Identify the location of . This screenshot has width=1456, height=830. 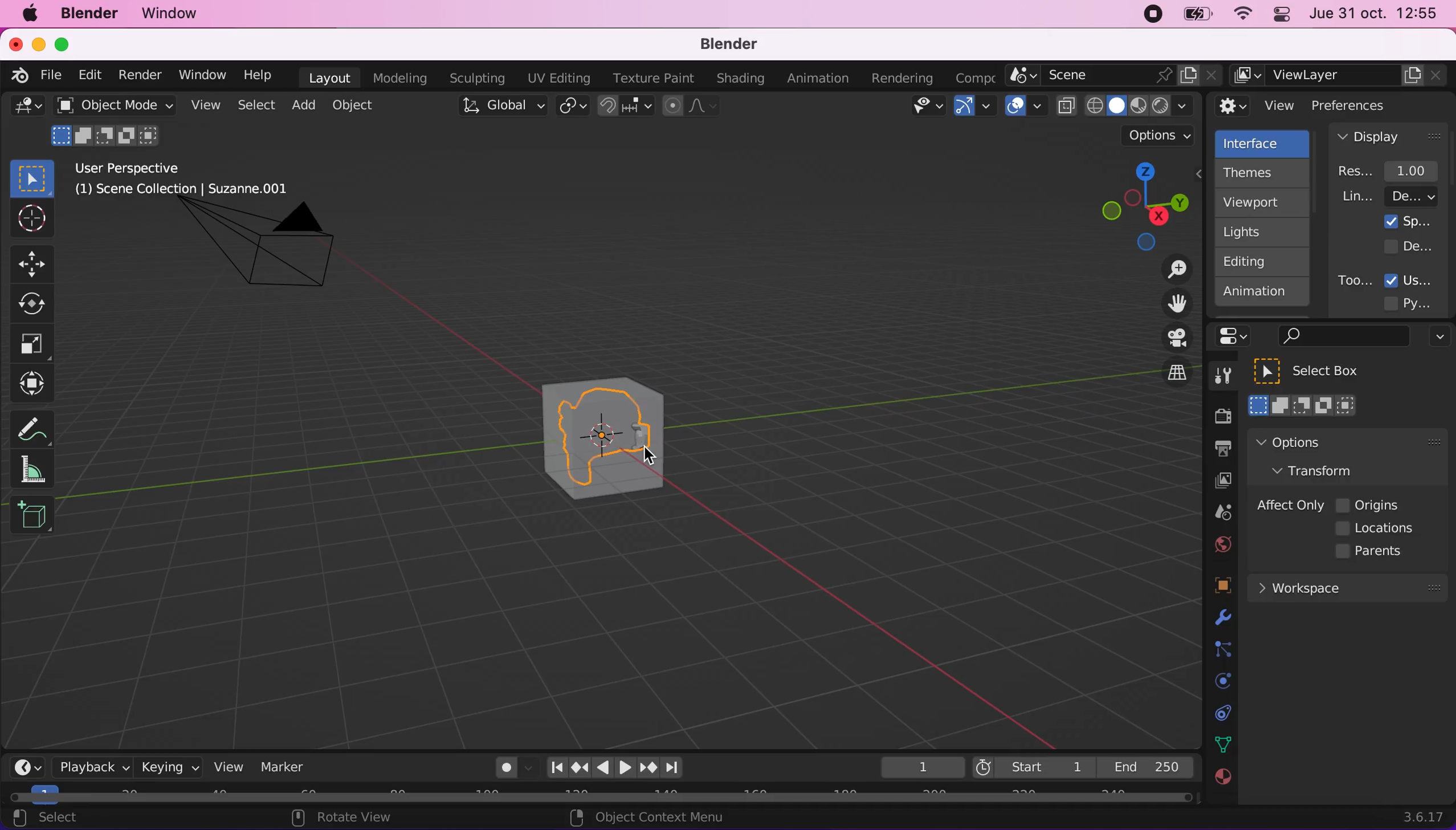
(32, 344).